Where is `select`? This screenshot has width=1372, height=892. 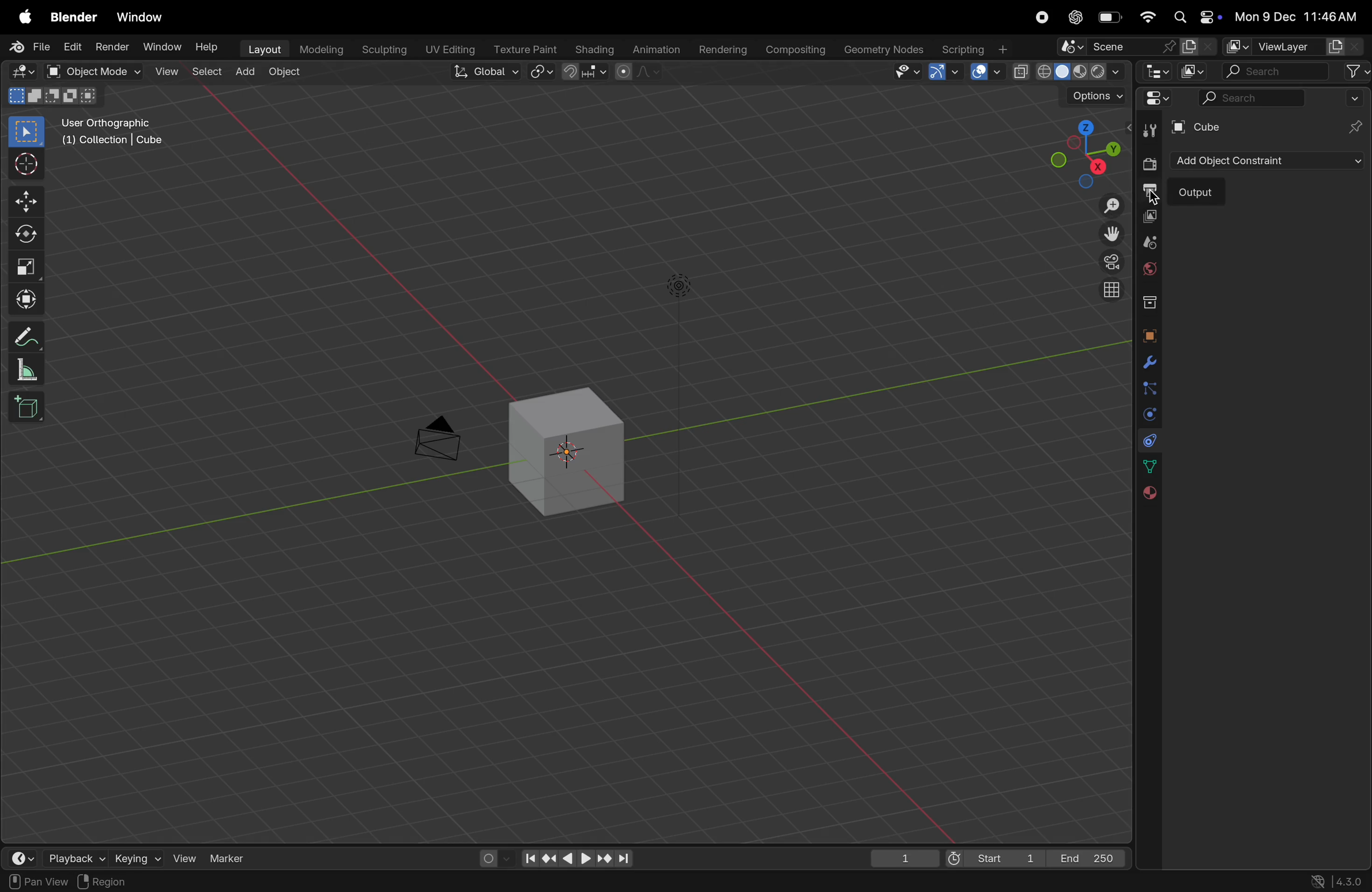 select is located at coordinates (206, 73).